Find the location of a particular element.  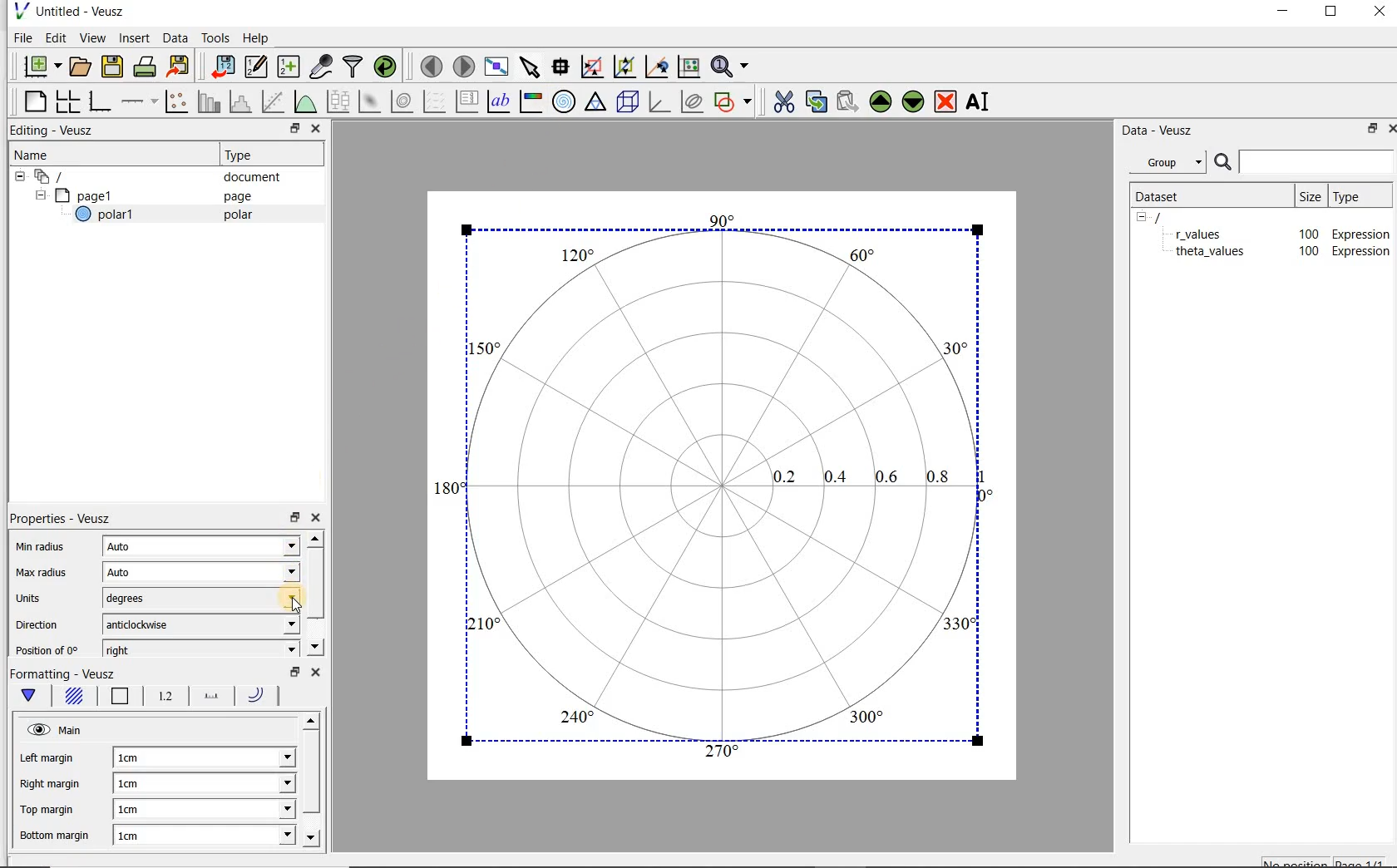

Zoom functions menu is located at coordinates (731, 62).